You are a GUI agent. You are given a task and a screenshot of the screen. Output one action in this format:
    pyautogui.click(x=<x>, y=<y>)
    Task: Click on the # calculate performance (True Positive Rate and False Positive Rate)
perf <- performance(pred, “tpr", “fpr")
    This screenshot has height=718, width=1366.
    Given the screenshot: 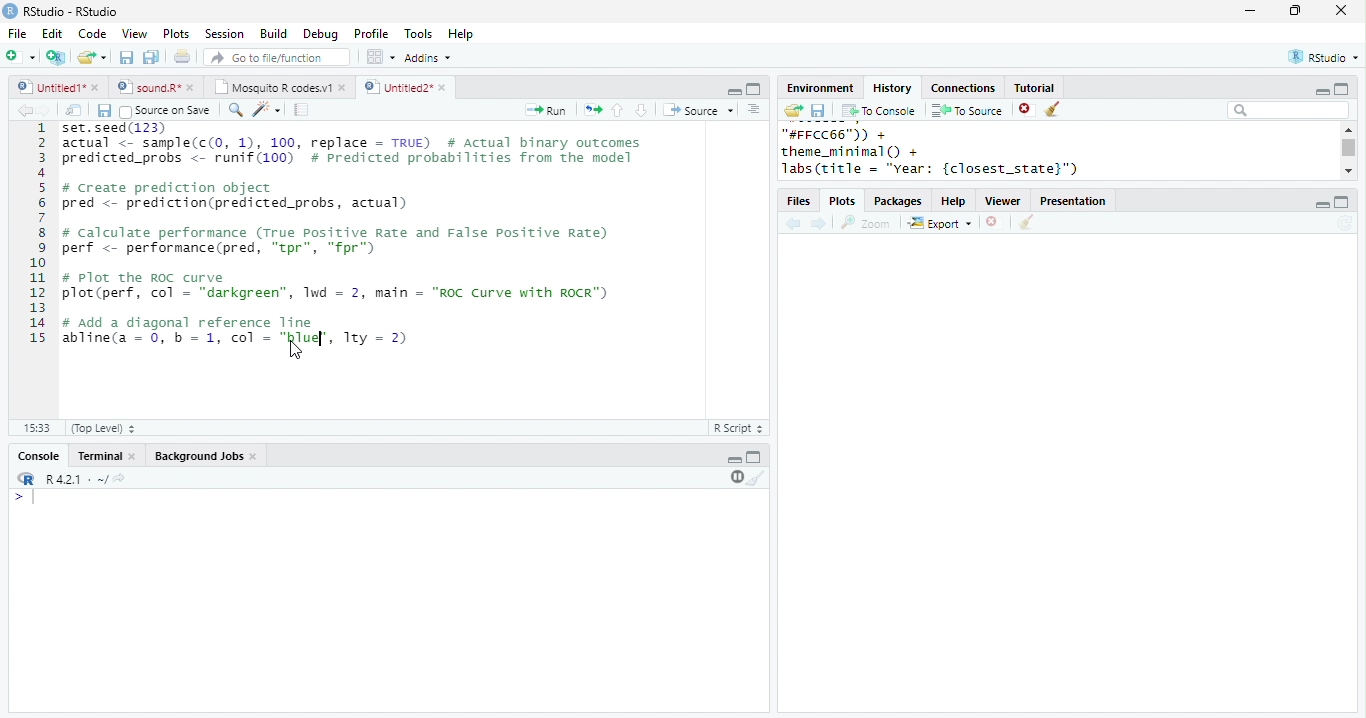 What is the action you would take?
    pyautogui.click(x=336, y=240)
    